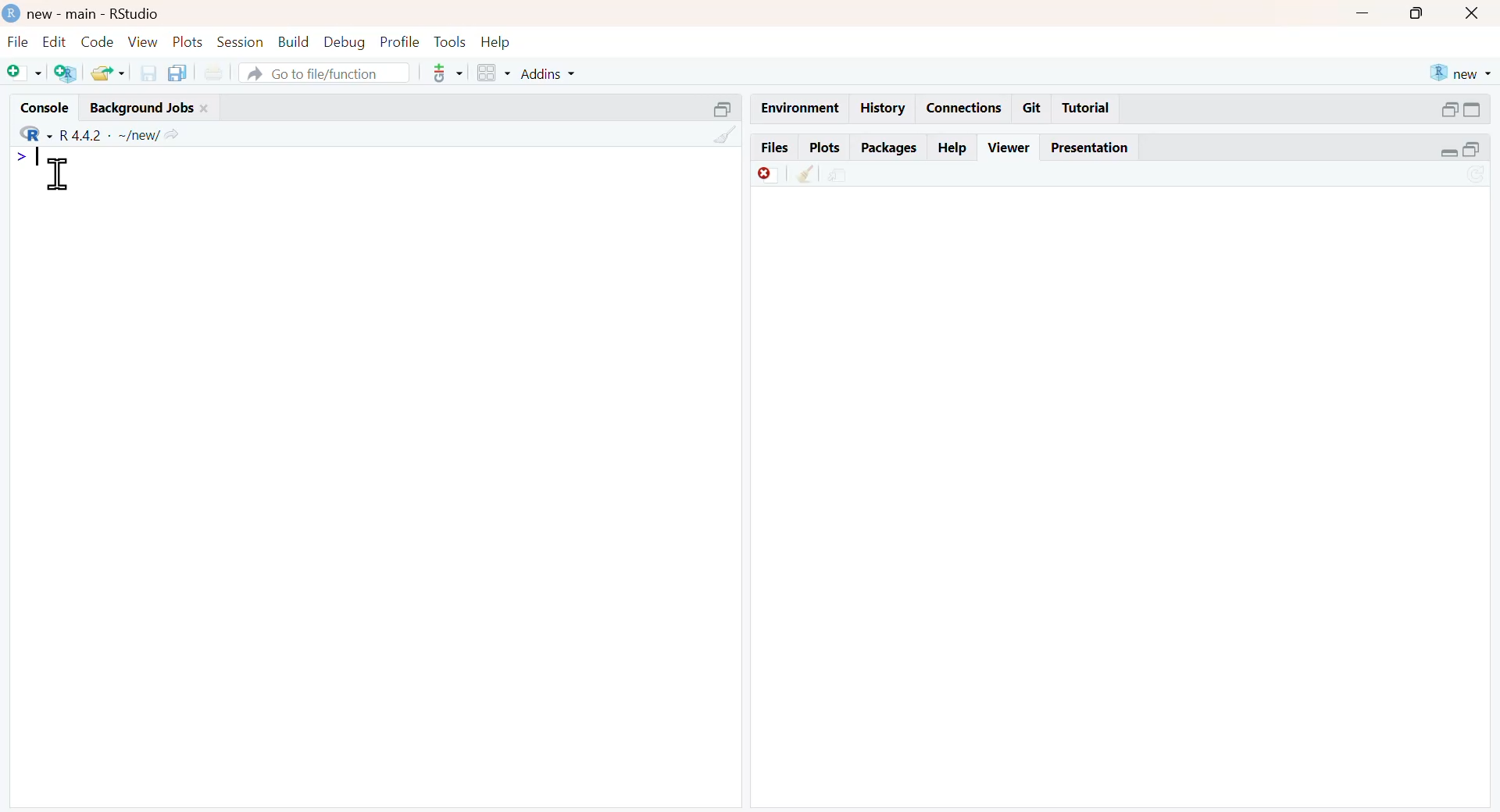 This screenshot has height=812, width=1500. Describe the element at coordinates (806, 173) in the screenshot. I see `clear console` at that location.